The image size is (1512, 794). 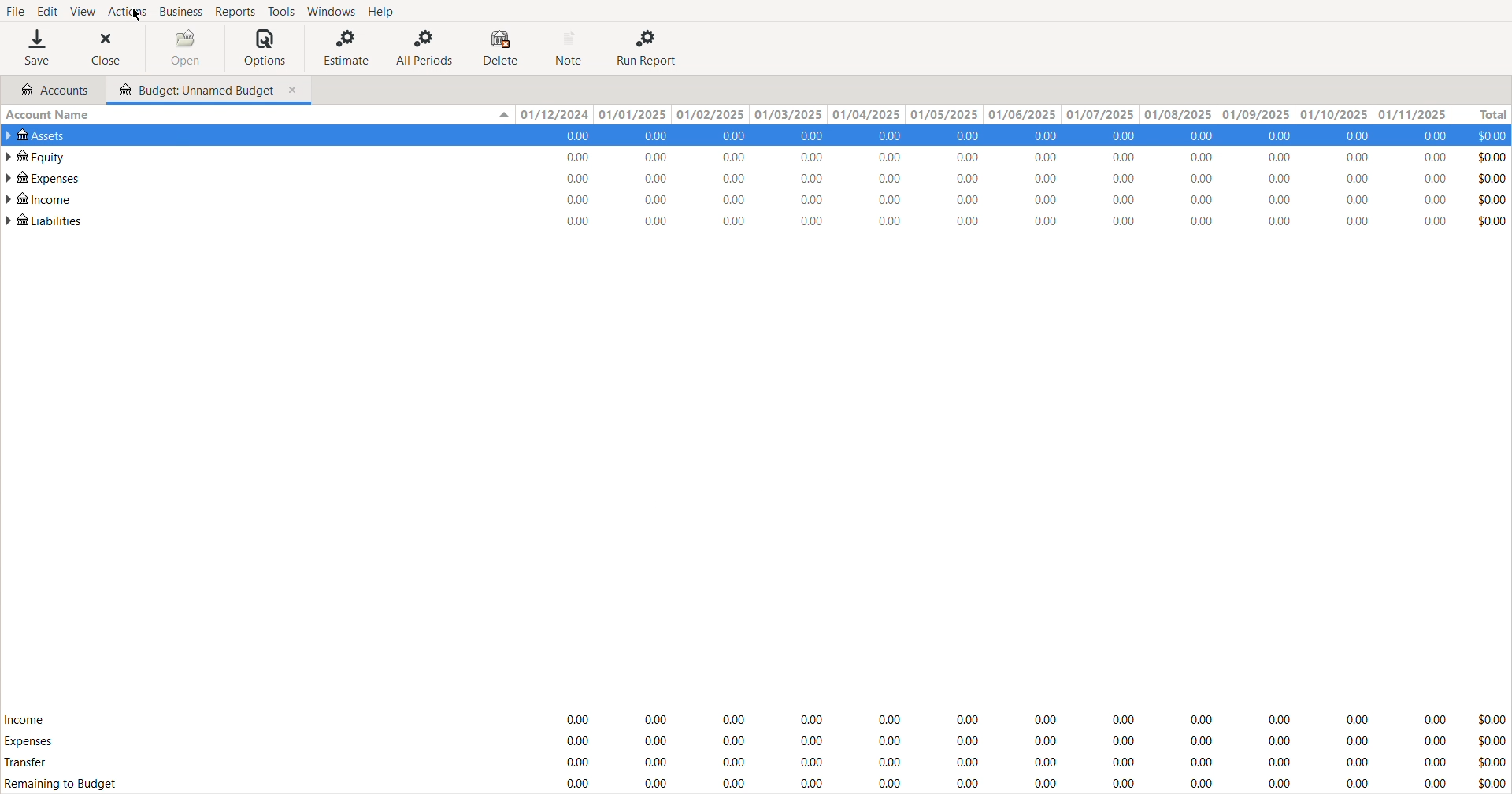 I want to click on Open, so click(x=185, y=48).